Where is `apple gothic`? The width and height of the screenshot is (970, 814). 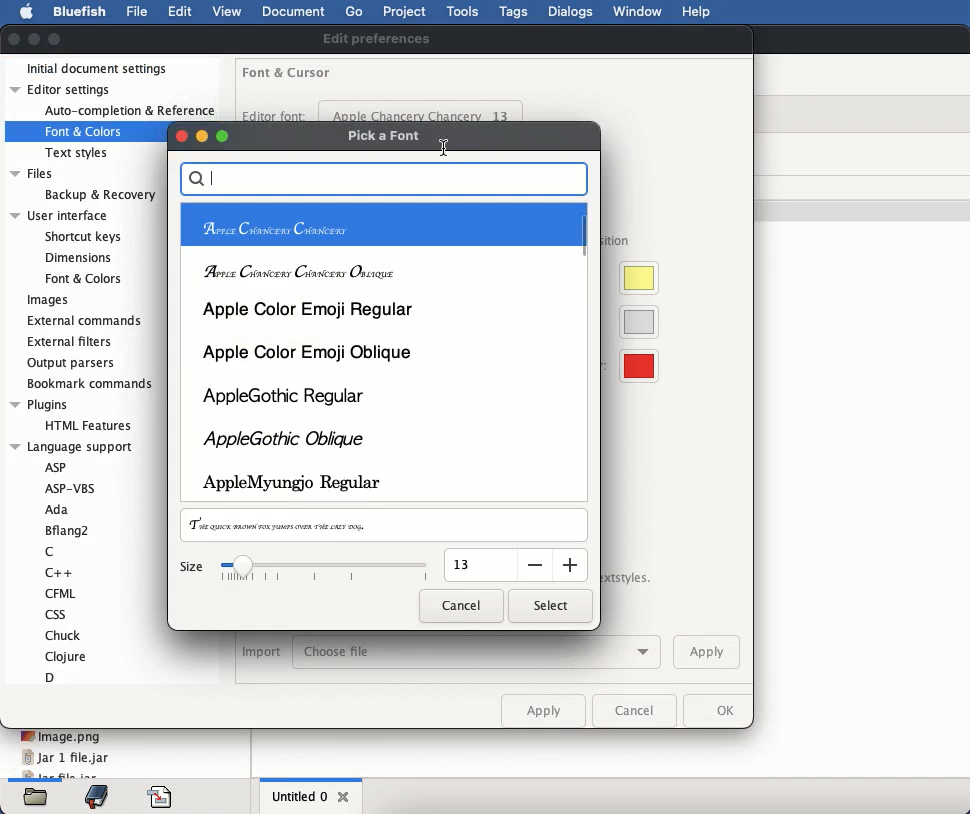
apple gothic is located at coordinates (294, 400).